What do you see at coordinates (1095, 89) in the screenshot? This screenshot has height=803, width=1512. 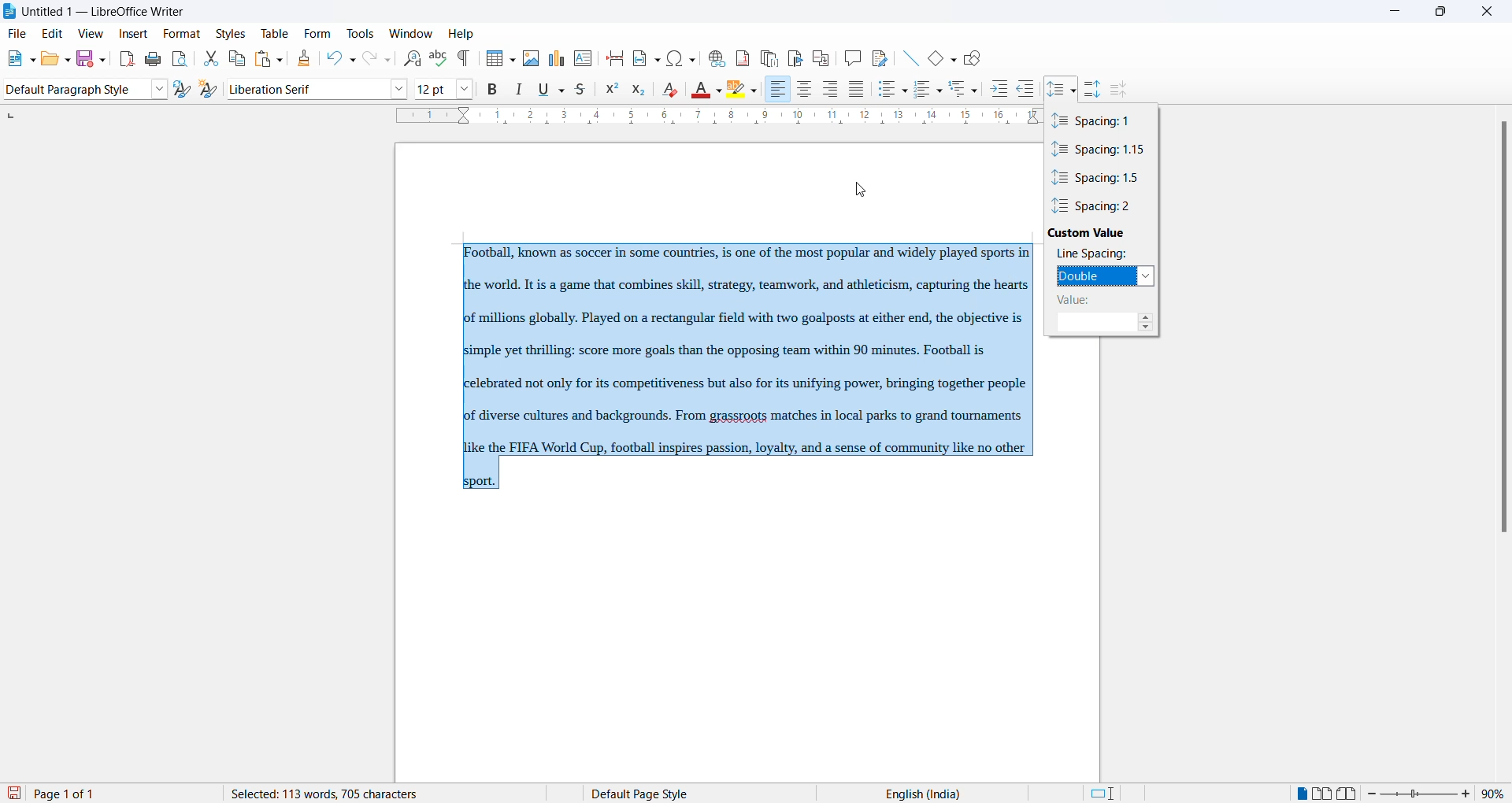 I see `increase paragraph spacing` at bounding box center [1095, 89].